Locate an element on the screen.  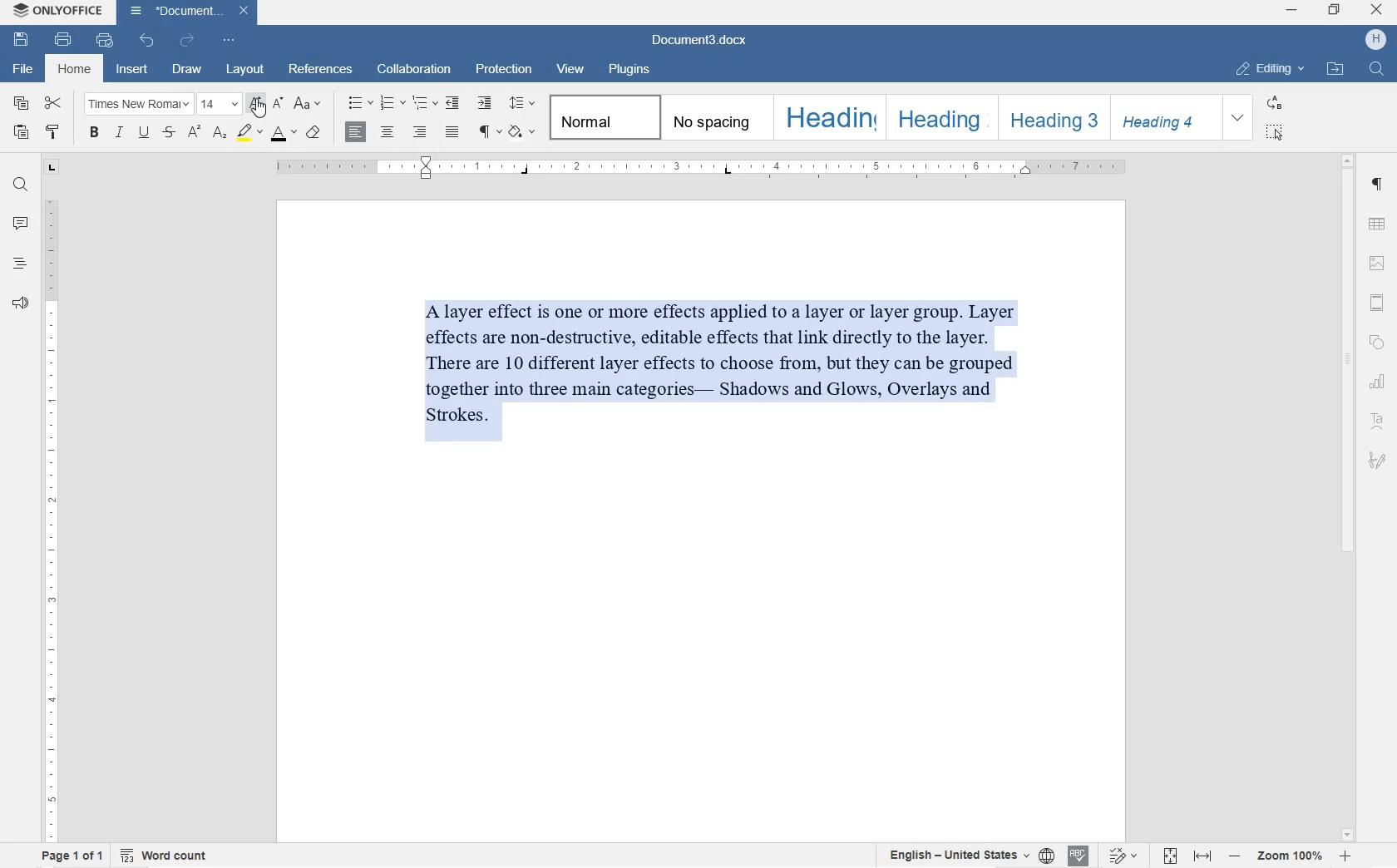
MINIMIZE is located at coordinates (1291, 11).